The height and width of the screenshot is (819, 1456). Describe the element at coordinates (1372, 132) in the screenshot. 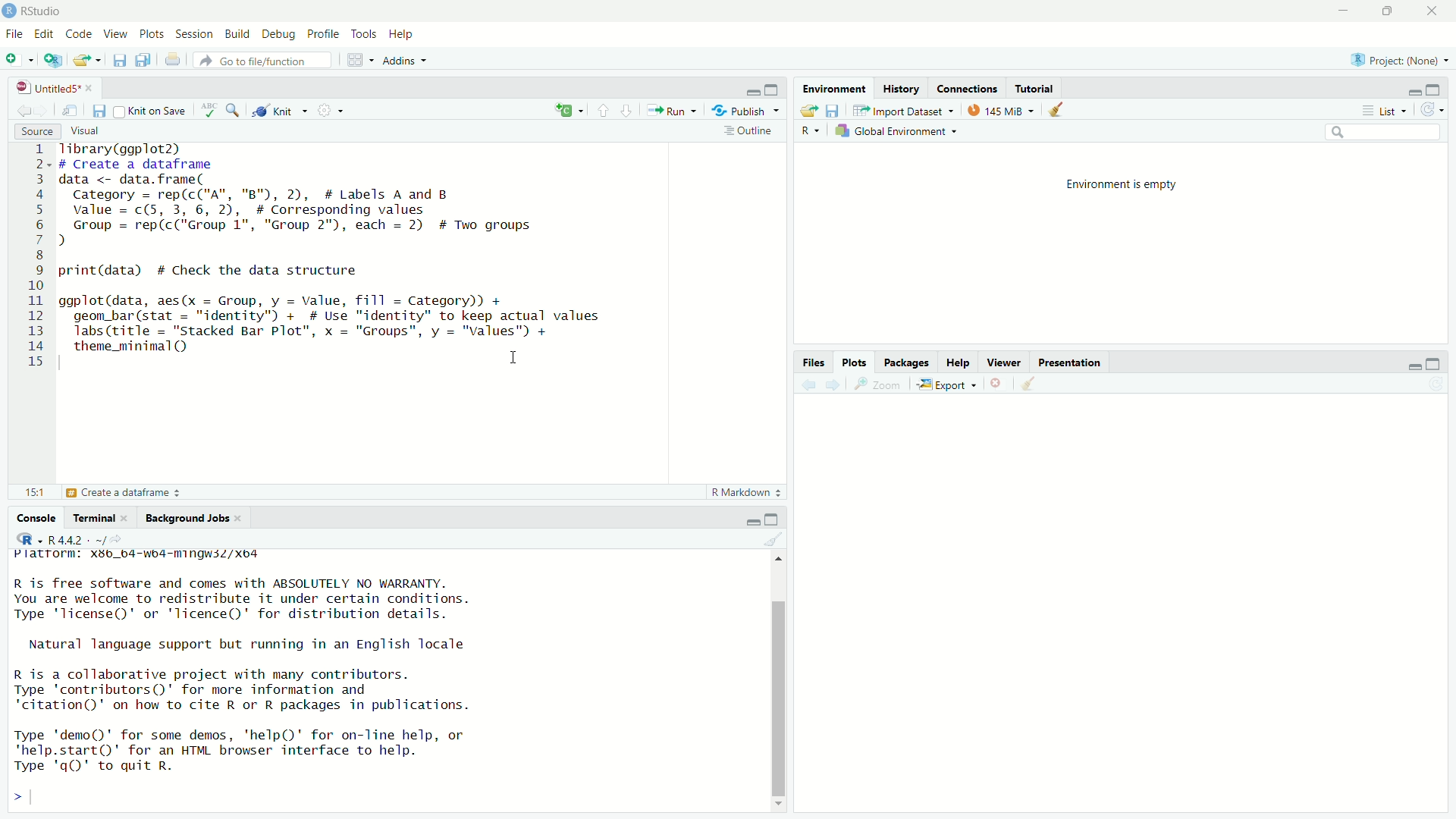

I see `Search bar` at that location.